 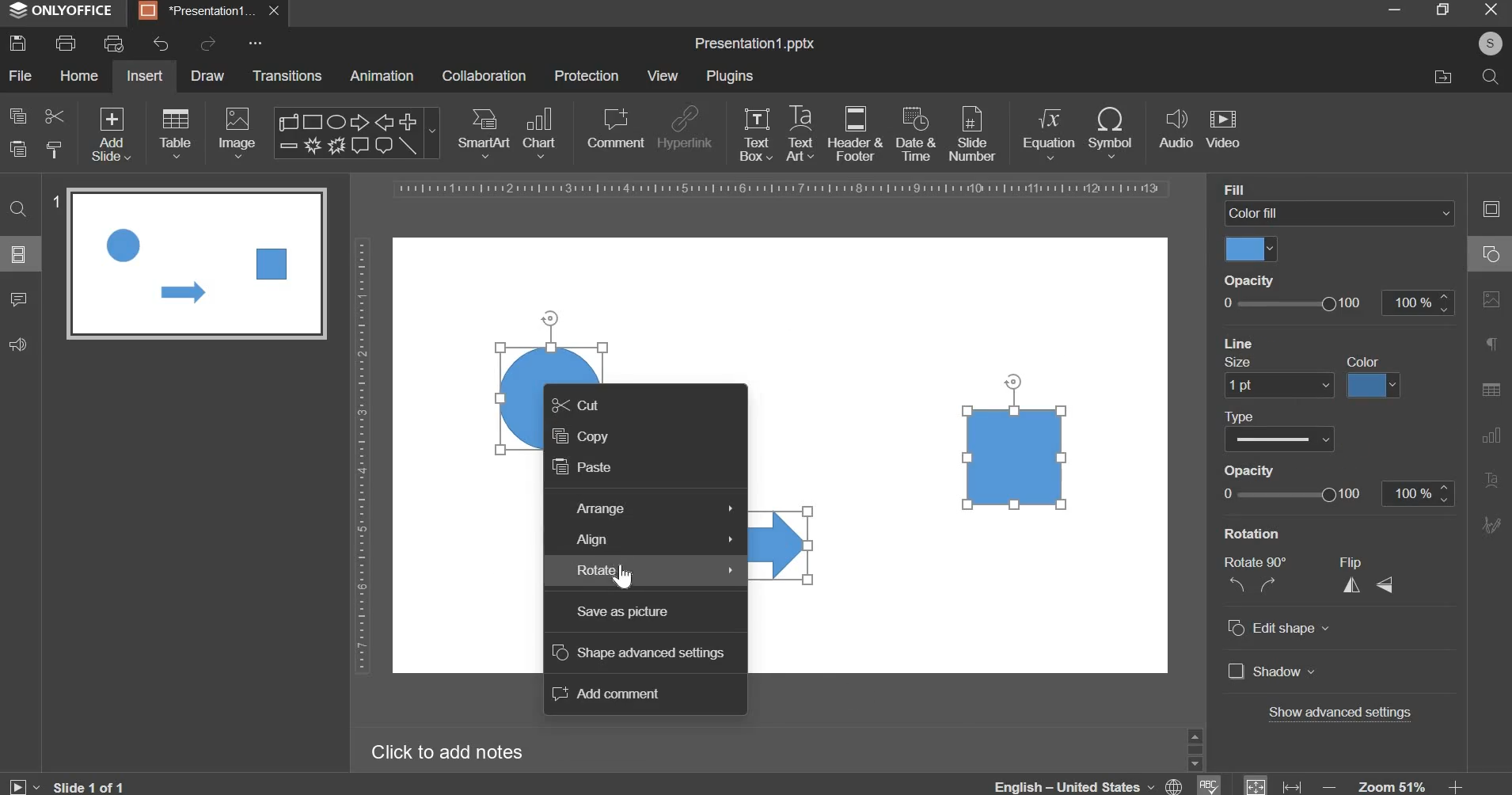 What do you see at coordinates (1490, 478) in the screenshot?
I see `text art setting` at bounding box center [1490, 478].